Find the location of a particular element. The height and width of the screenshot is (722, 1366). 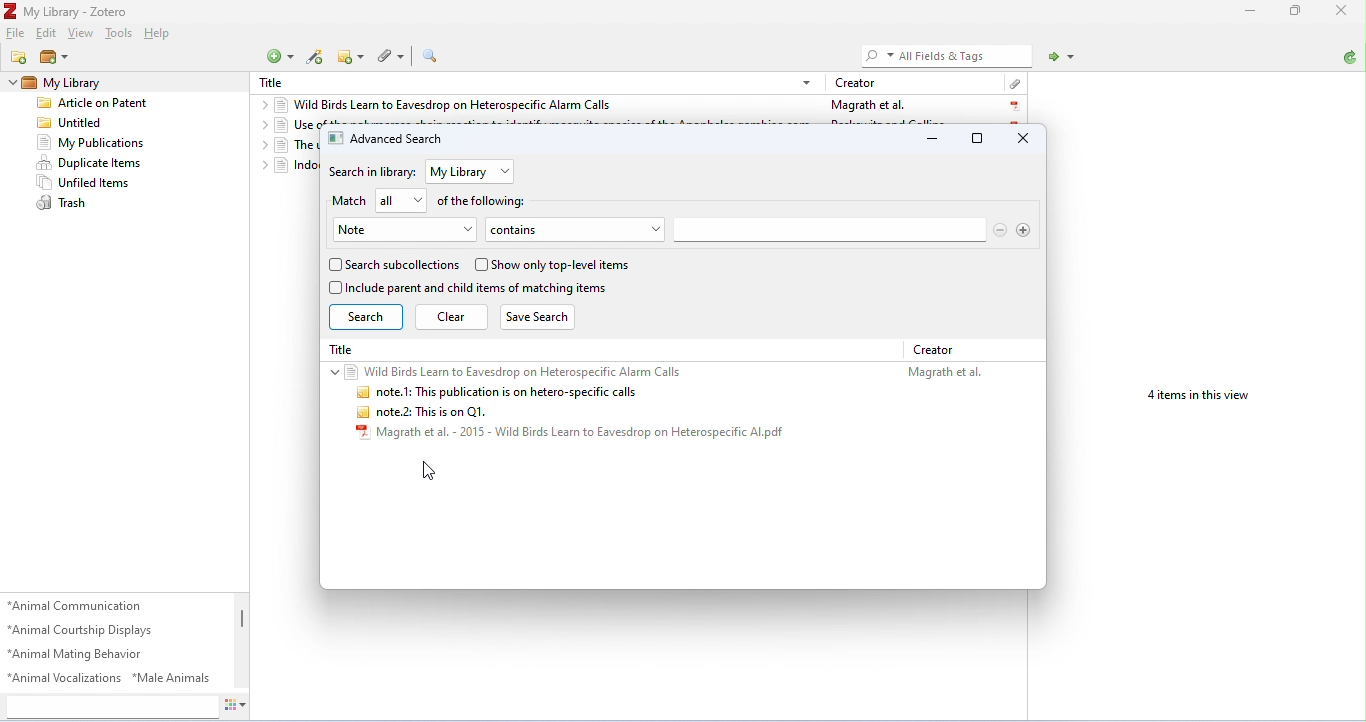

Note is located at coordinates (391, 231).